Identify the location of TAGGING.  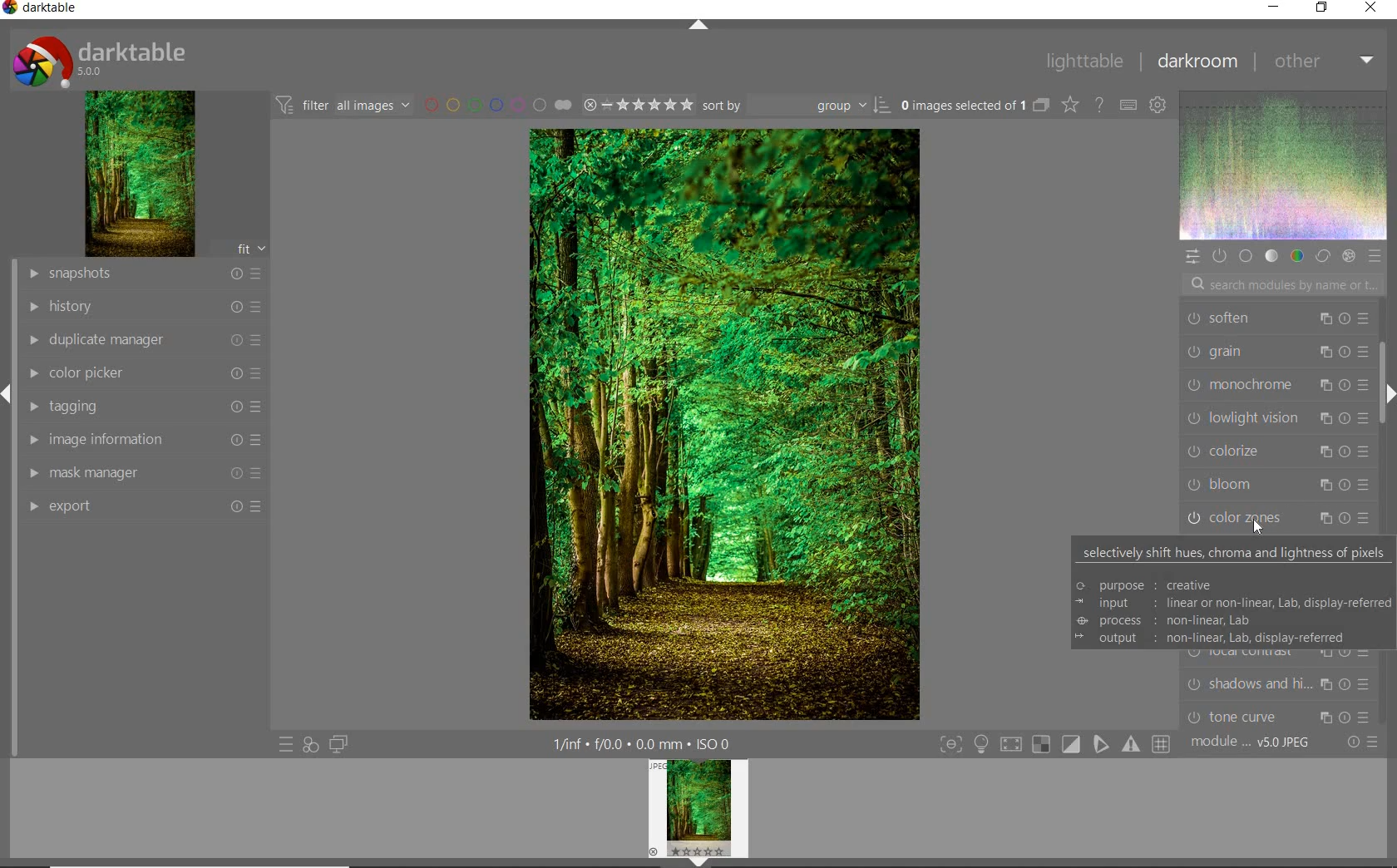
(143, 407).